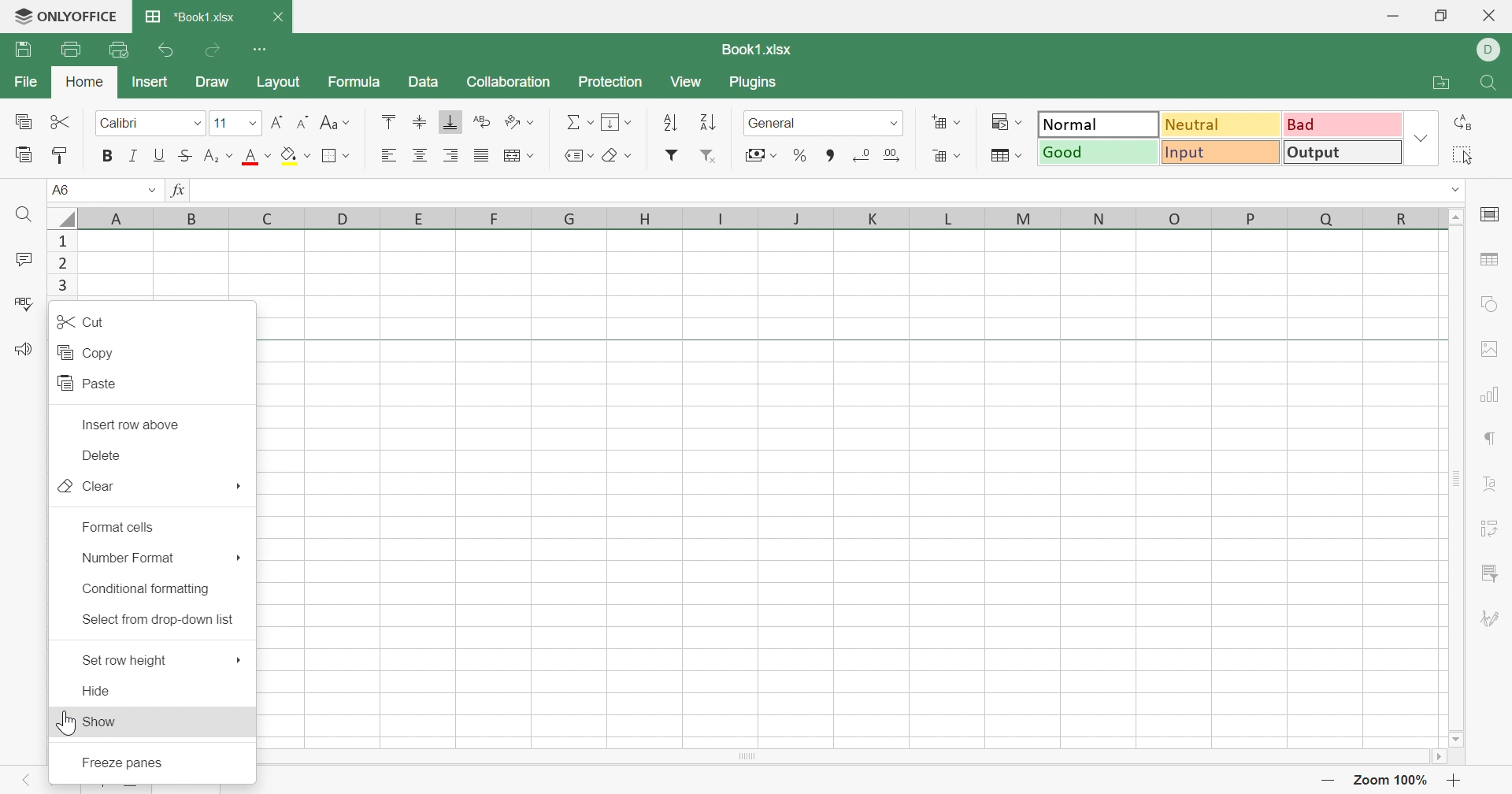  What do you see at coordinates (610, 79) in the screenshot?
I see `Protection` at bounding box center [610, 79].